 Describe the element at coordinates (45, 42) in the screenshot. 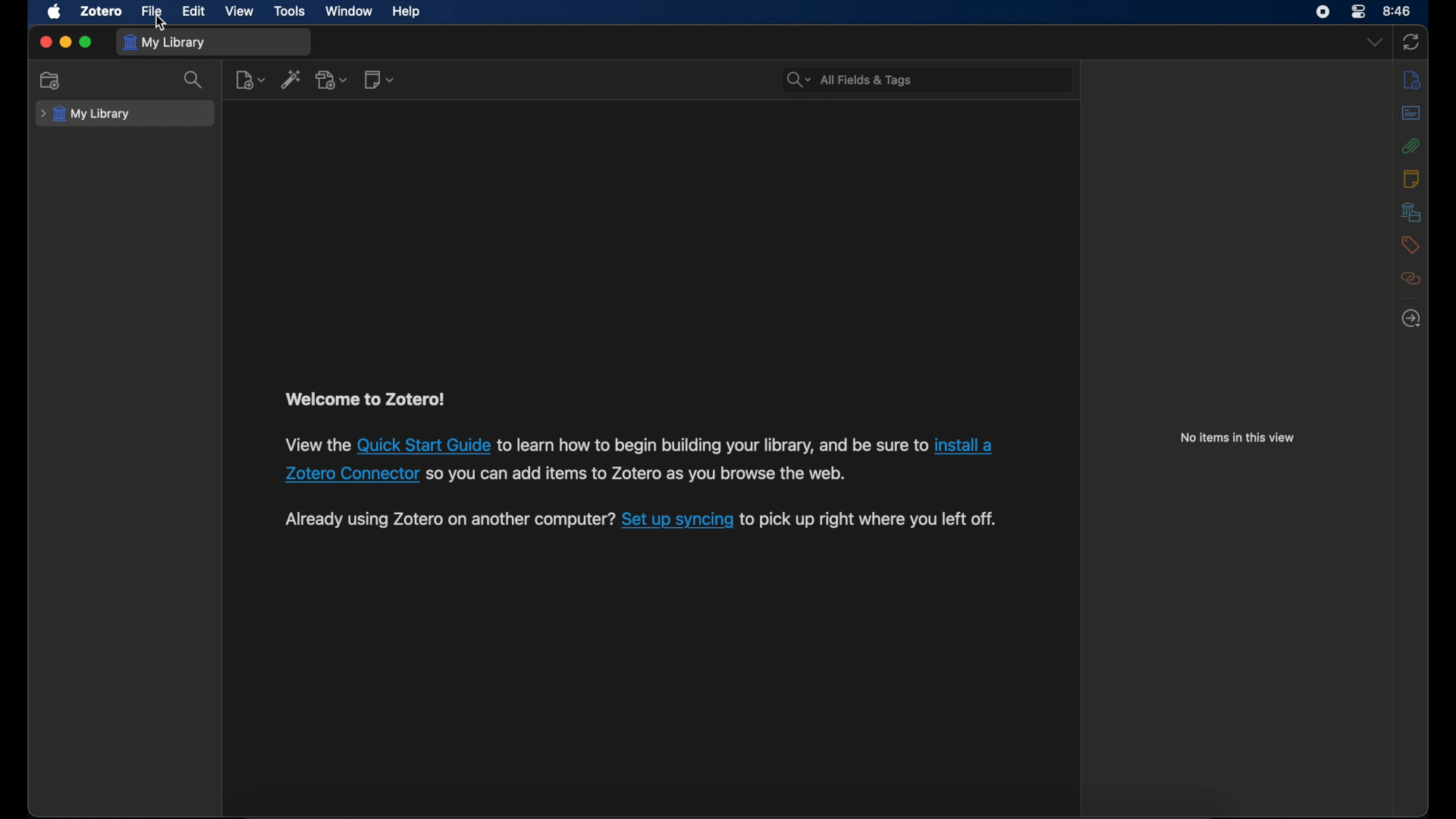

I see `close` at that location.